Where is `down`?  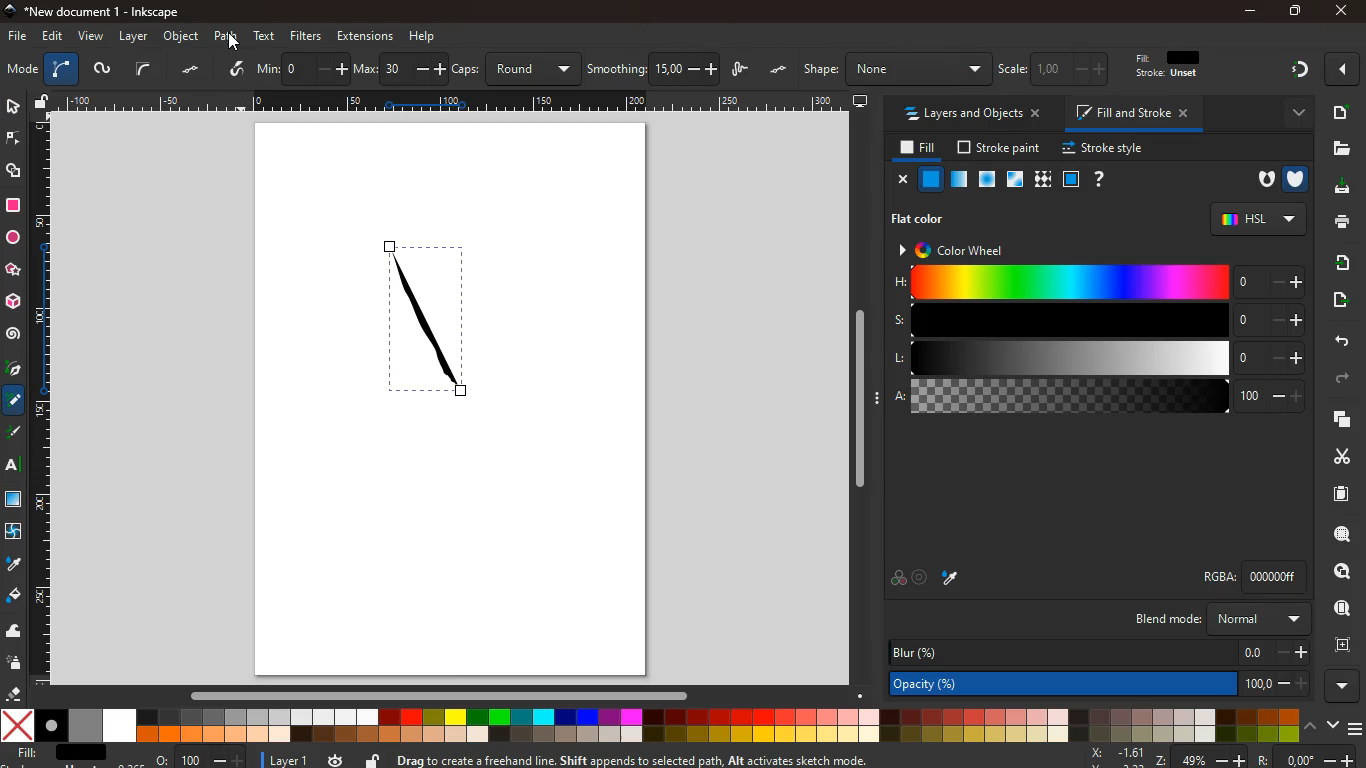 down is located at coordinates (1333, 723).